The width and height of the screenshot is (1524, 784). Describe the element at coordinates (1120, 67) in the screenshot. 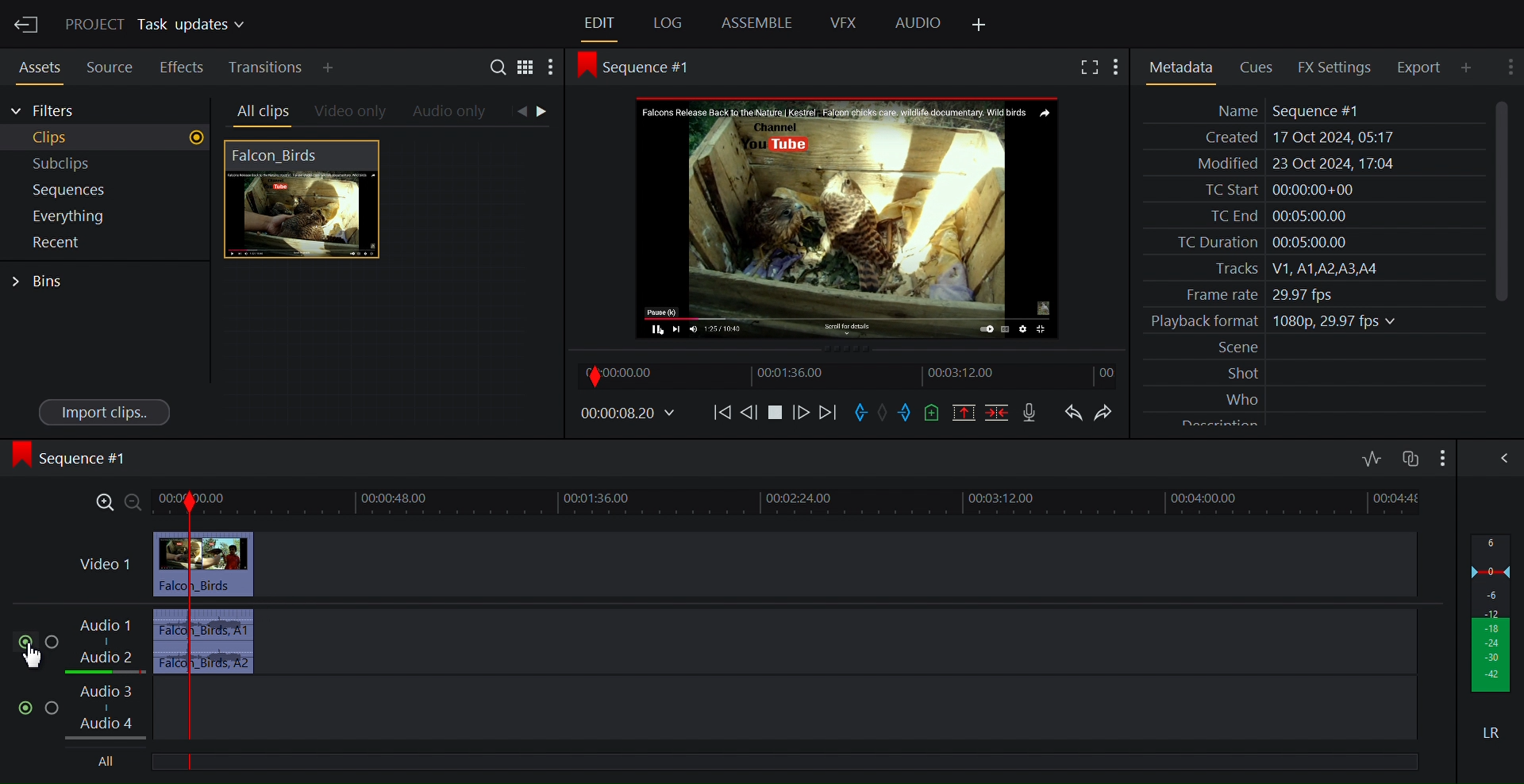

I see `Show settings menu` at that location.